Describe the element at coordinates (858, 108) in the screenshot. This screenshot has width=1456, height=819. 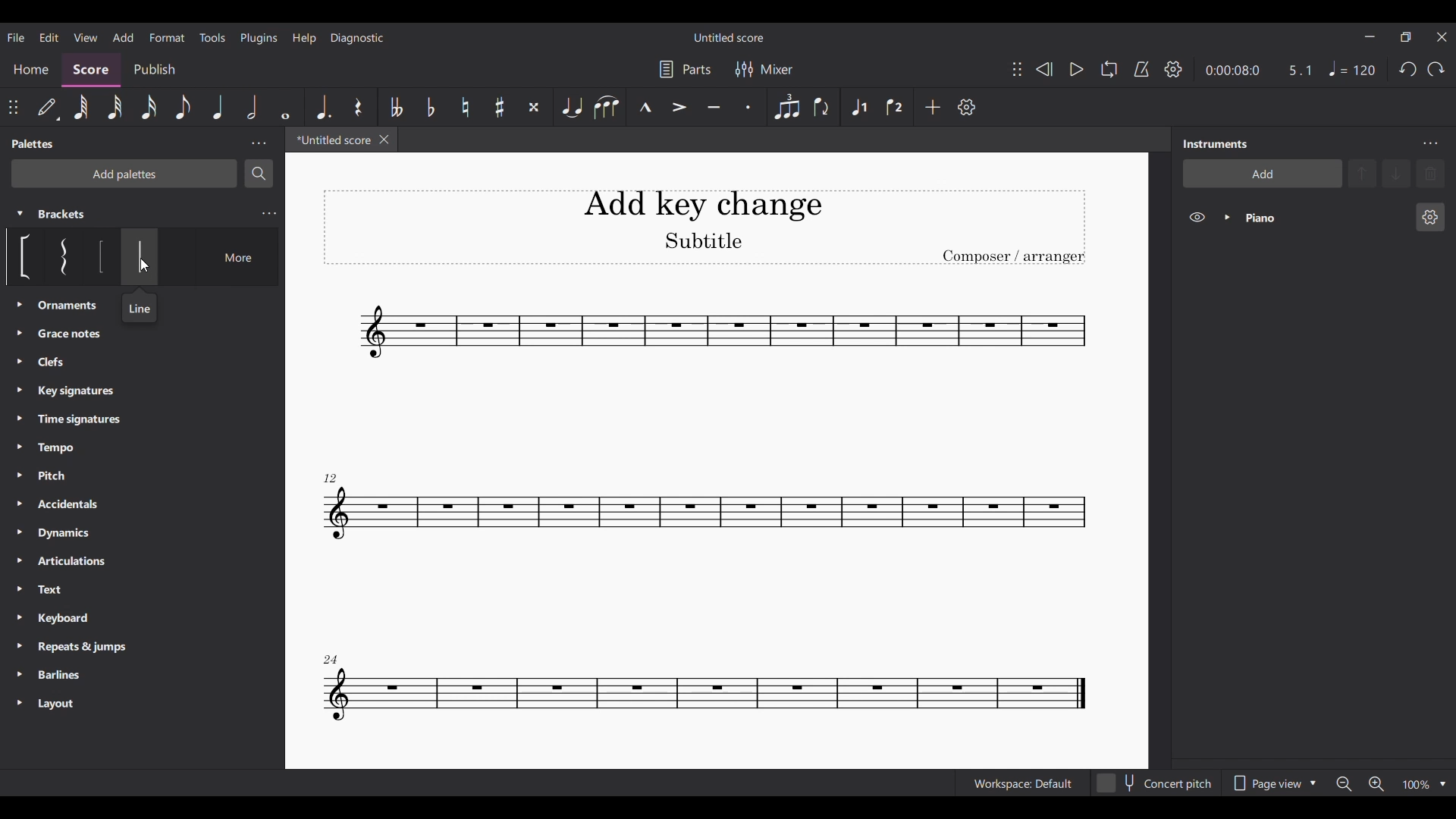
I see `Voice 1` at that location.